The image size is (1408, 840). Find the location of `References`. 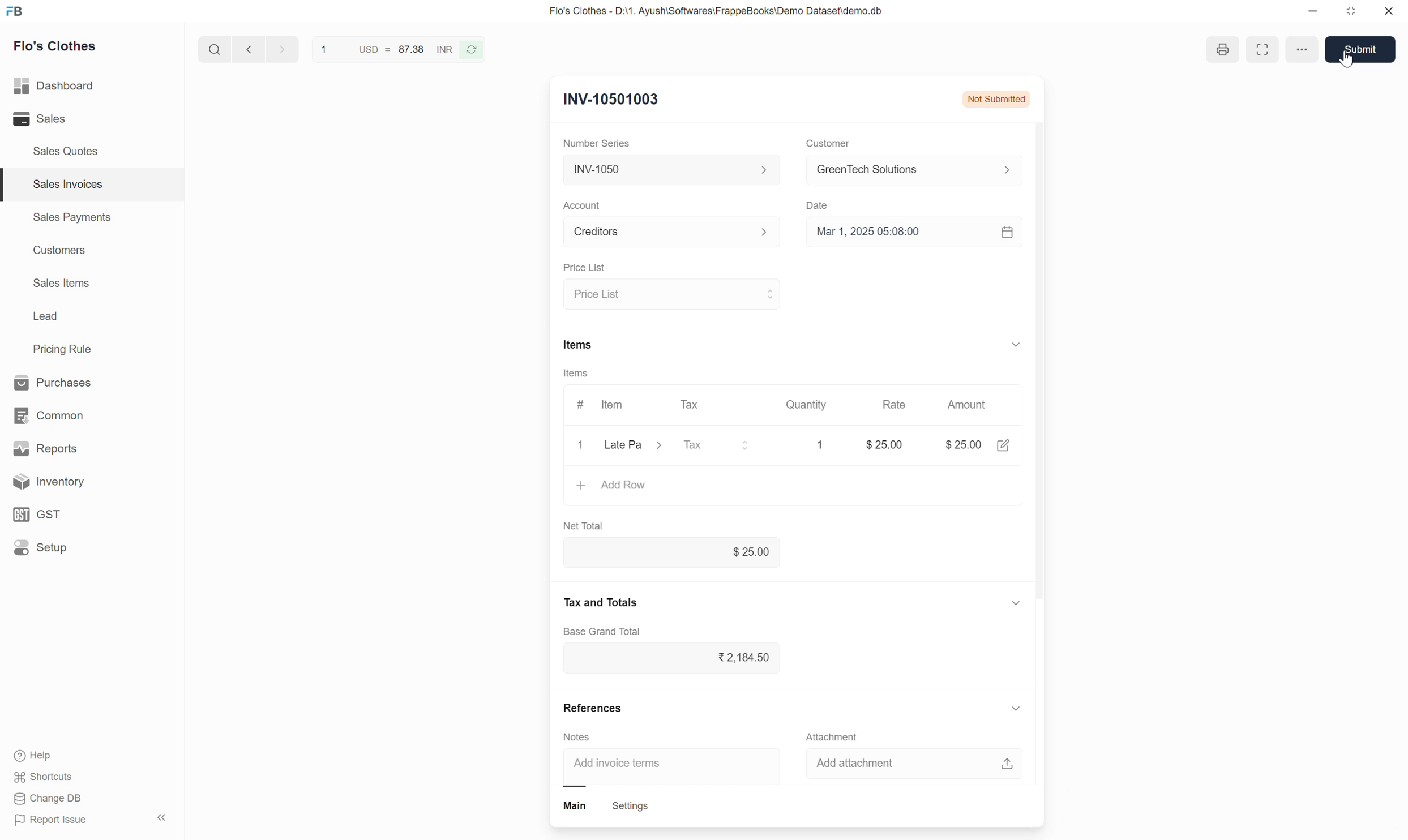

References is located at coordinates (592, 710).